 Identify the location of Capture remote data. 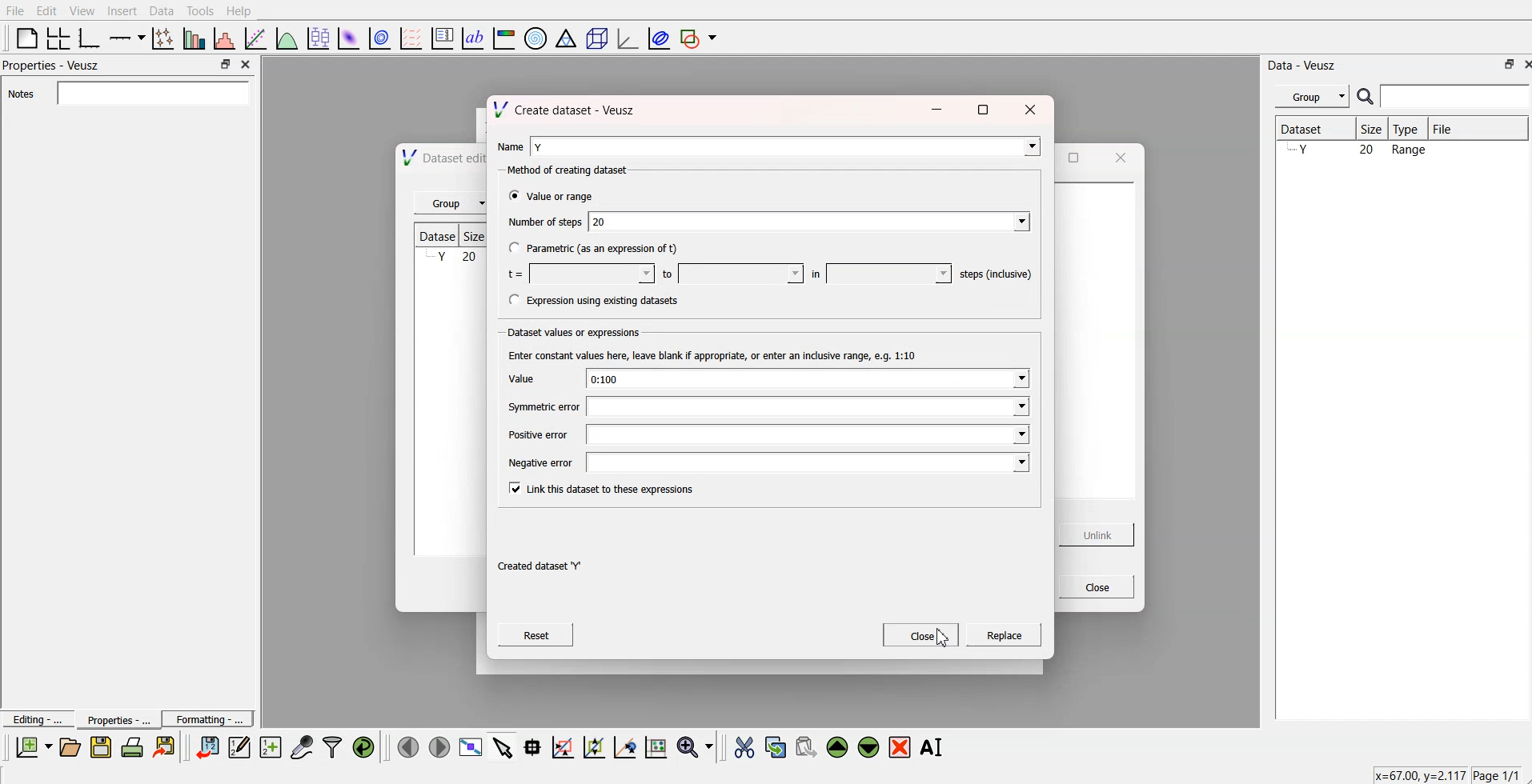
(303, 746).